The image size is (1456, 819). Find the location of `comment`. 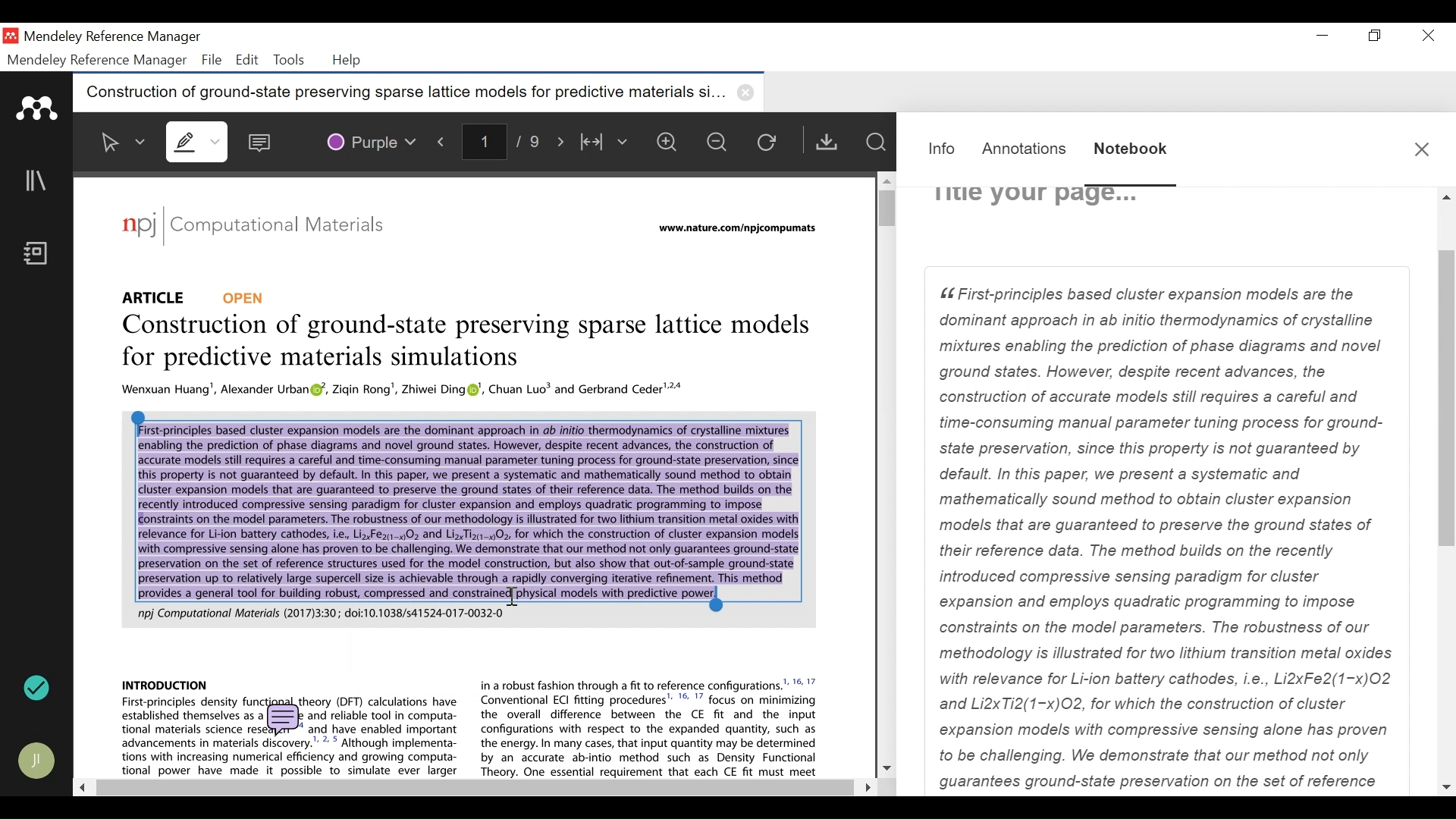

comment is located at coordinates (286, 720).